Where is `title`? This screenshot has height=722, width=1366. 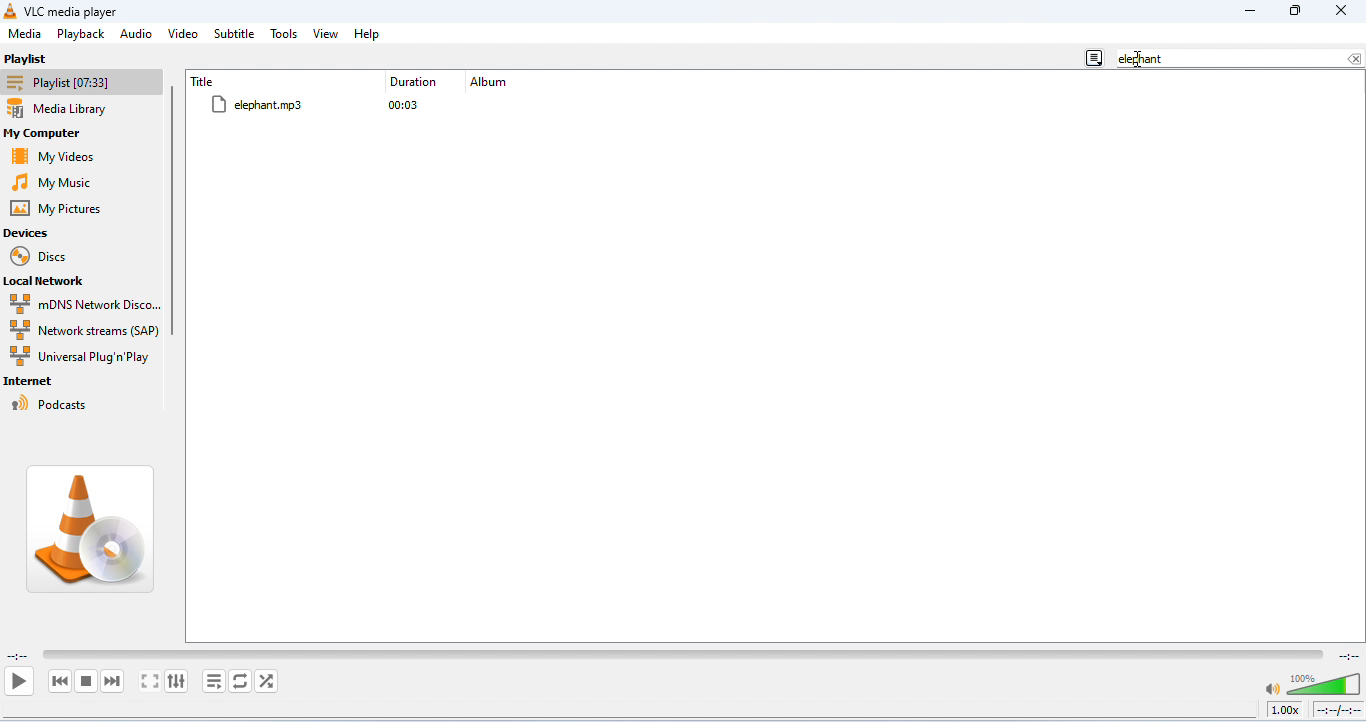 title is located at coordinates (205, 81).